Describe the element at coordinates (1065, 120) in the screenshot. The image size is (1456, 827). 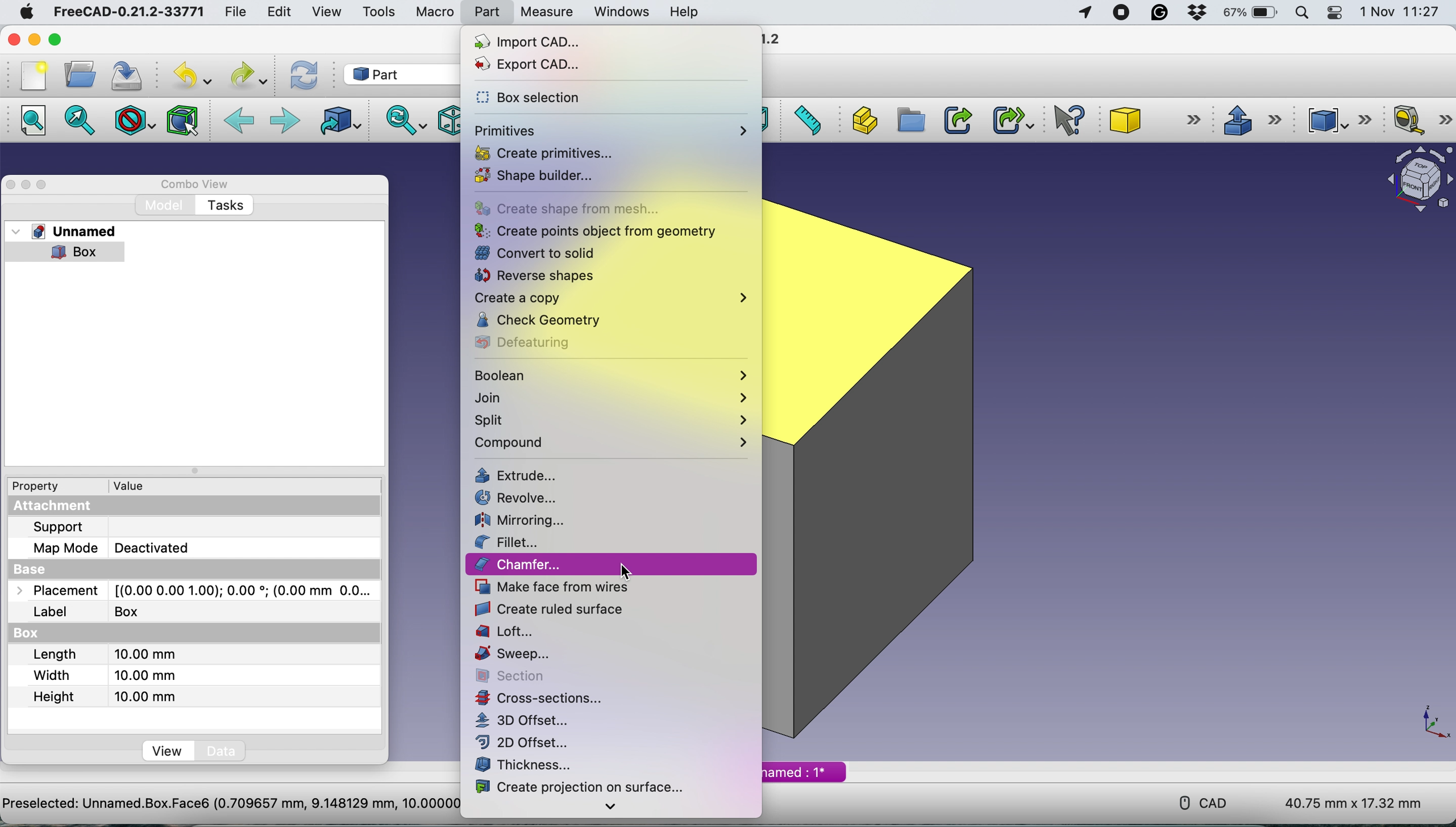
I see `what's this` at that location.